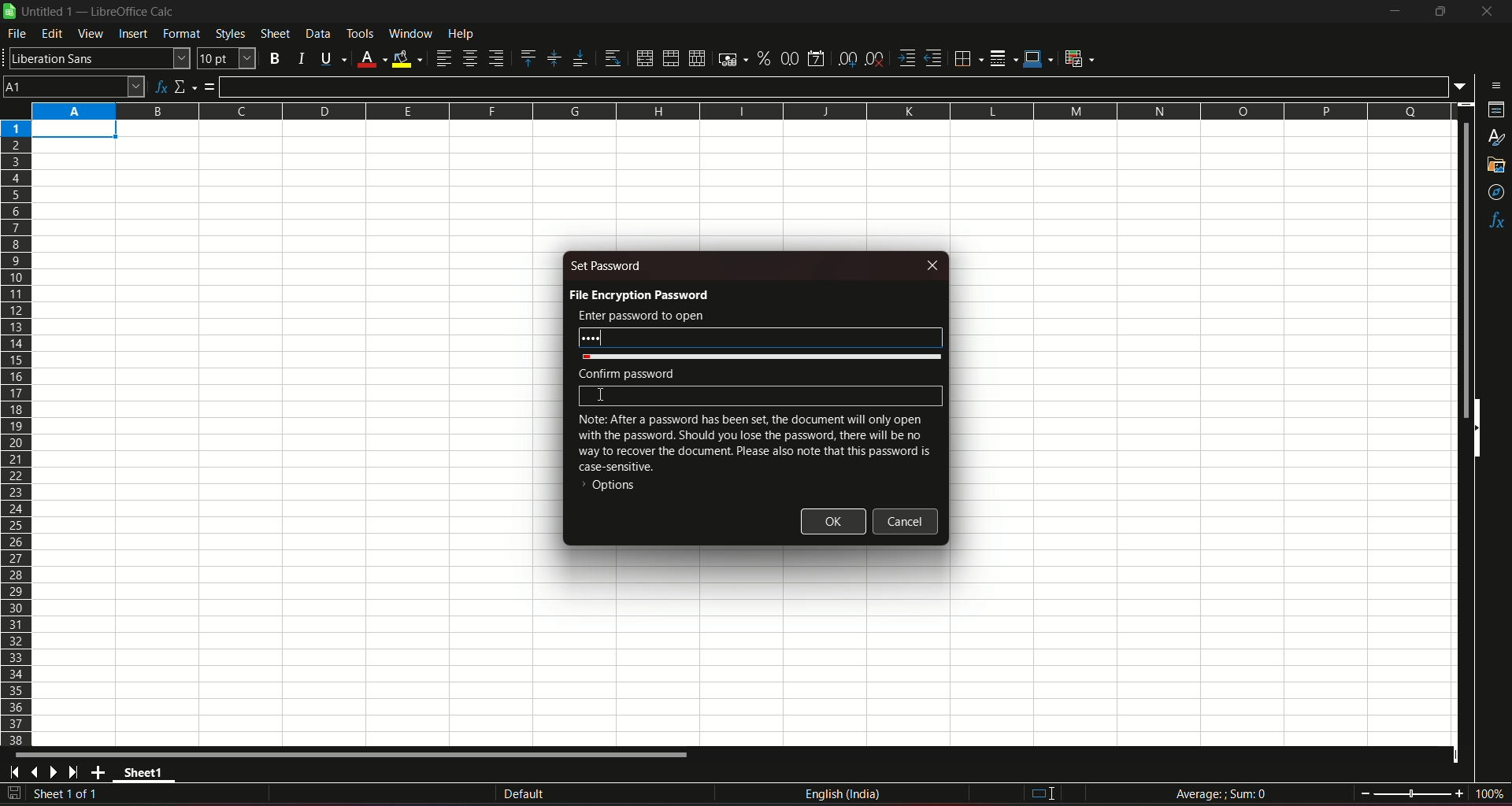 The width and height of the screenshot is (1512, 806). I want to click on libreoffice calc logo, so click(9, 13).